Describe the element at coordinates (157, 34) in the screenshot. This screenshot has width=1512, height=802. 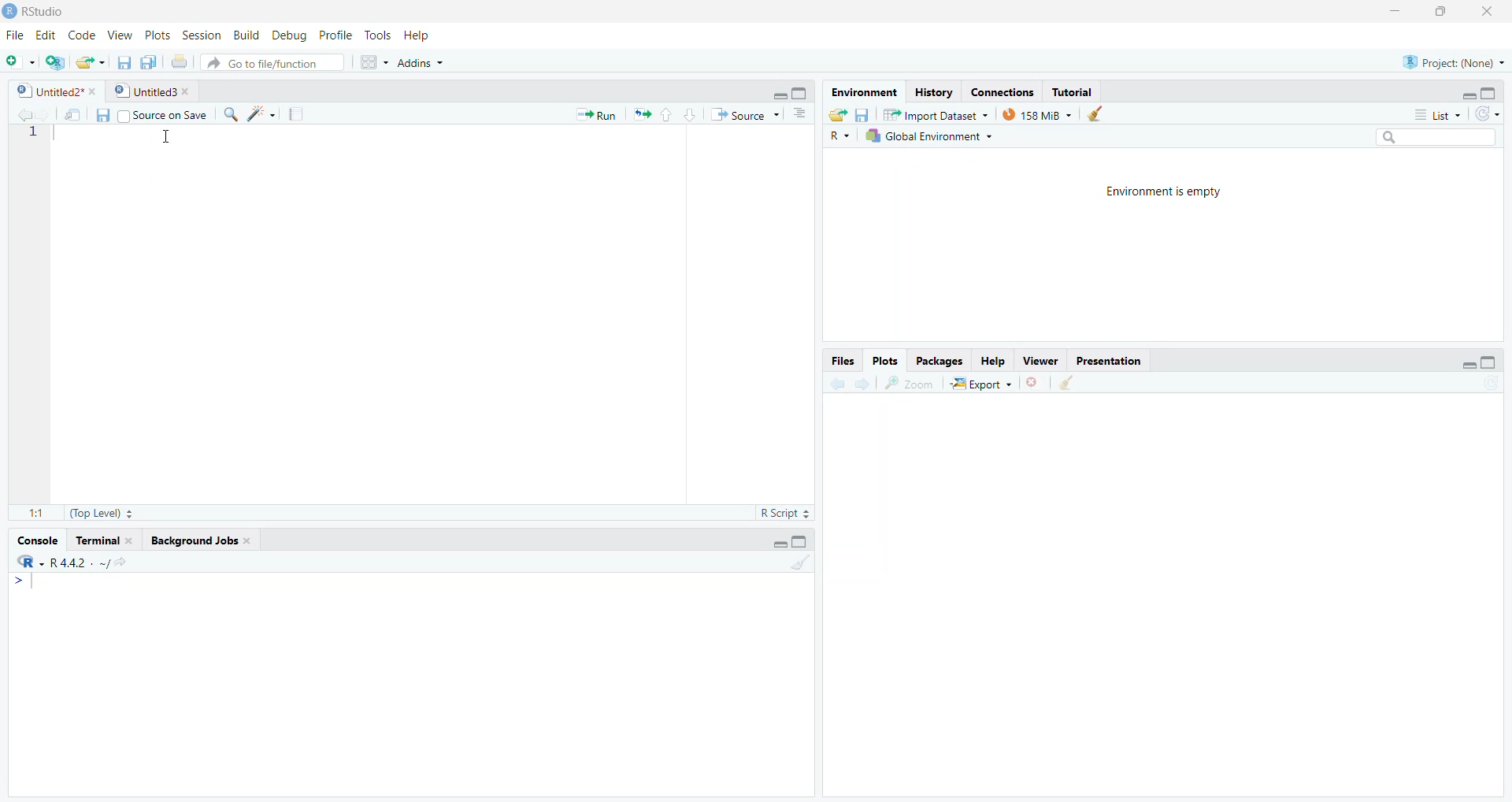
I see `Plots` at that location.